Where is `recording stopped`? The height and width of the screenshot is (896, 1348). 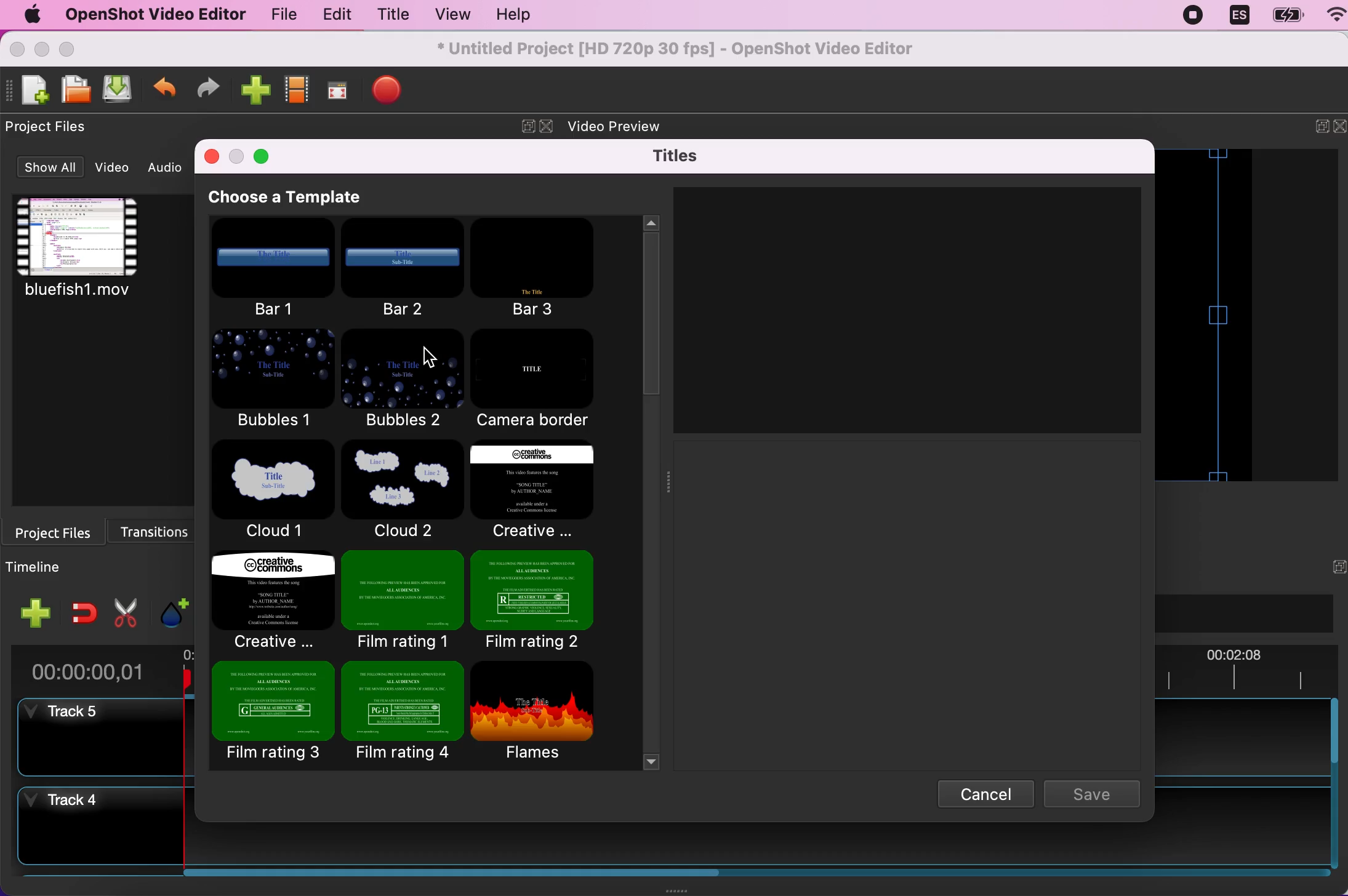
recording stopped is located at coordinates (1195, 15).